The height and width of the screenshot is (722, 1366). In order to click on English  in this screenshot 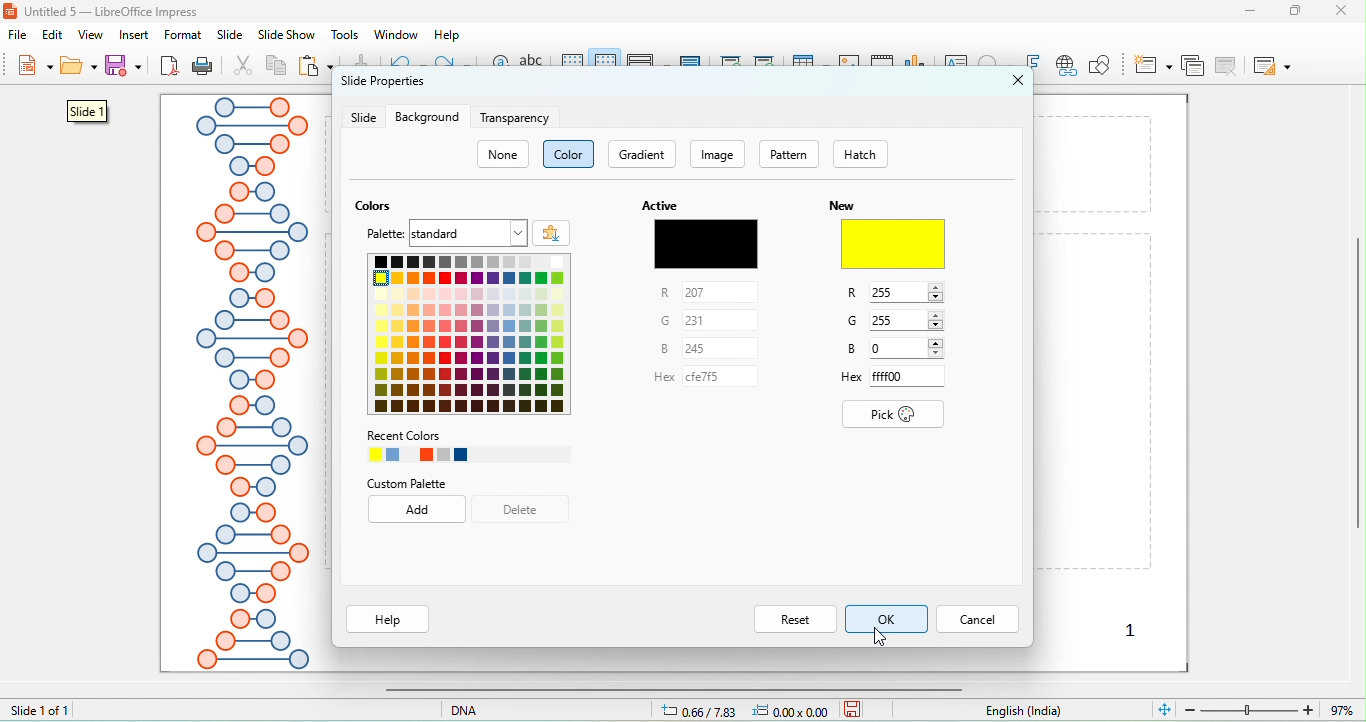, I will do `click(1035, 711)`.